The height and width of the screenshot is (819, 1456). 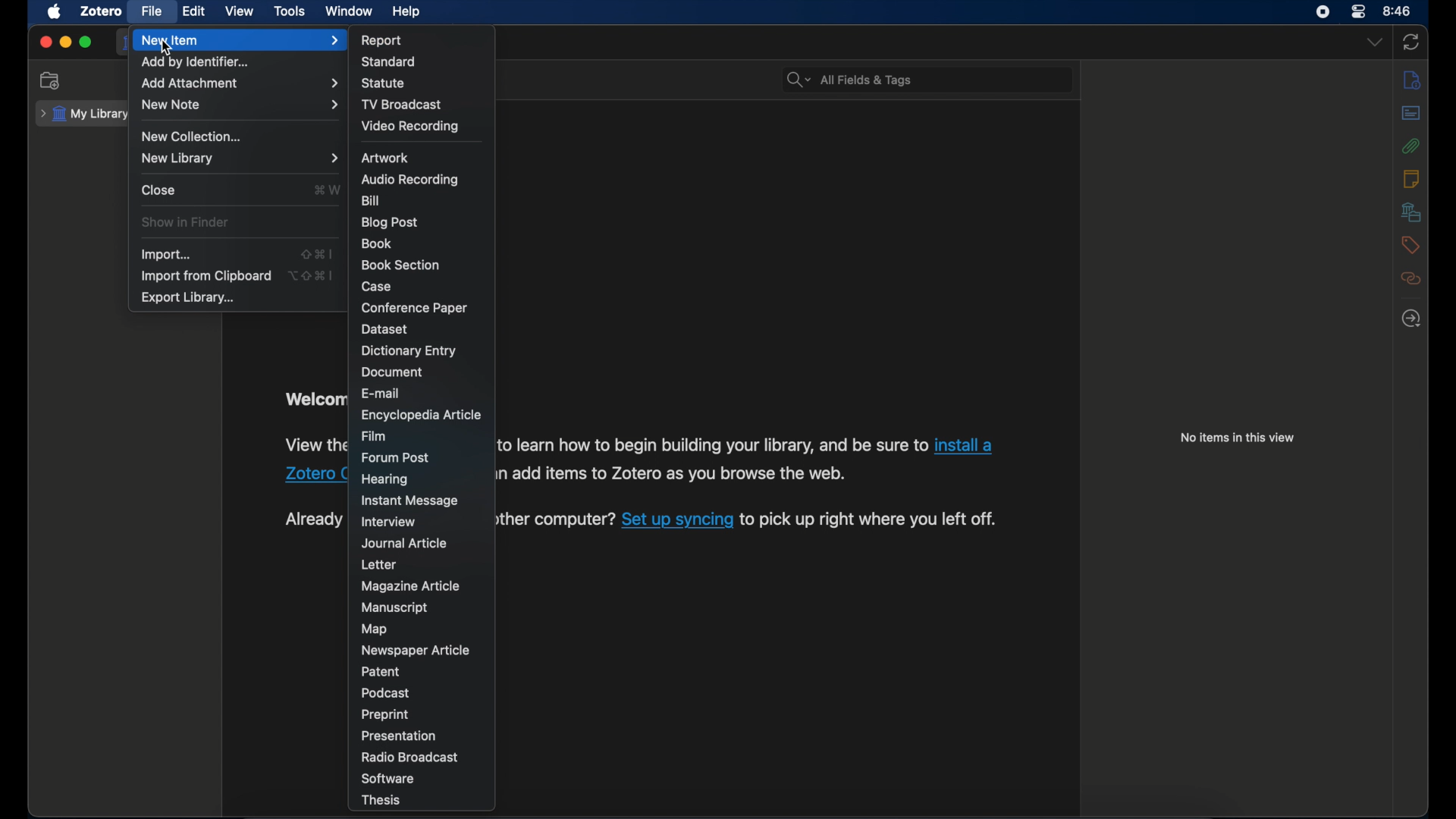 I want to click on shortcut, so click(x=329, y=190).